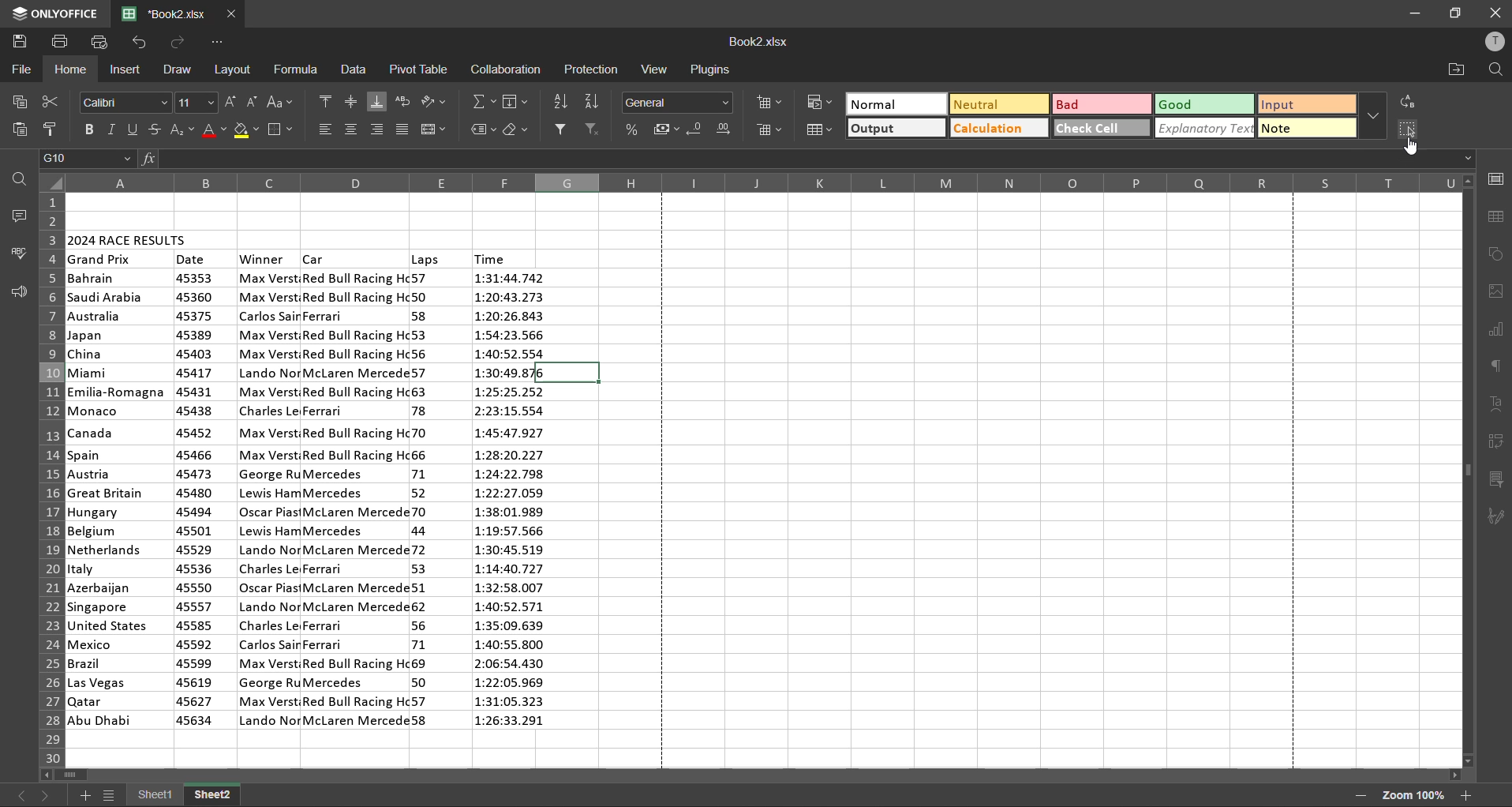 This screenshot has width=1512, height=807. Describe the element at coordinates (823, 131) in the screenshot. I see `format as table` at that location.